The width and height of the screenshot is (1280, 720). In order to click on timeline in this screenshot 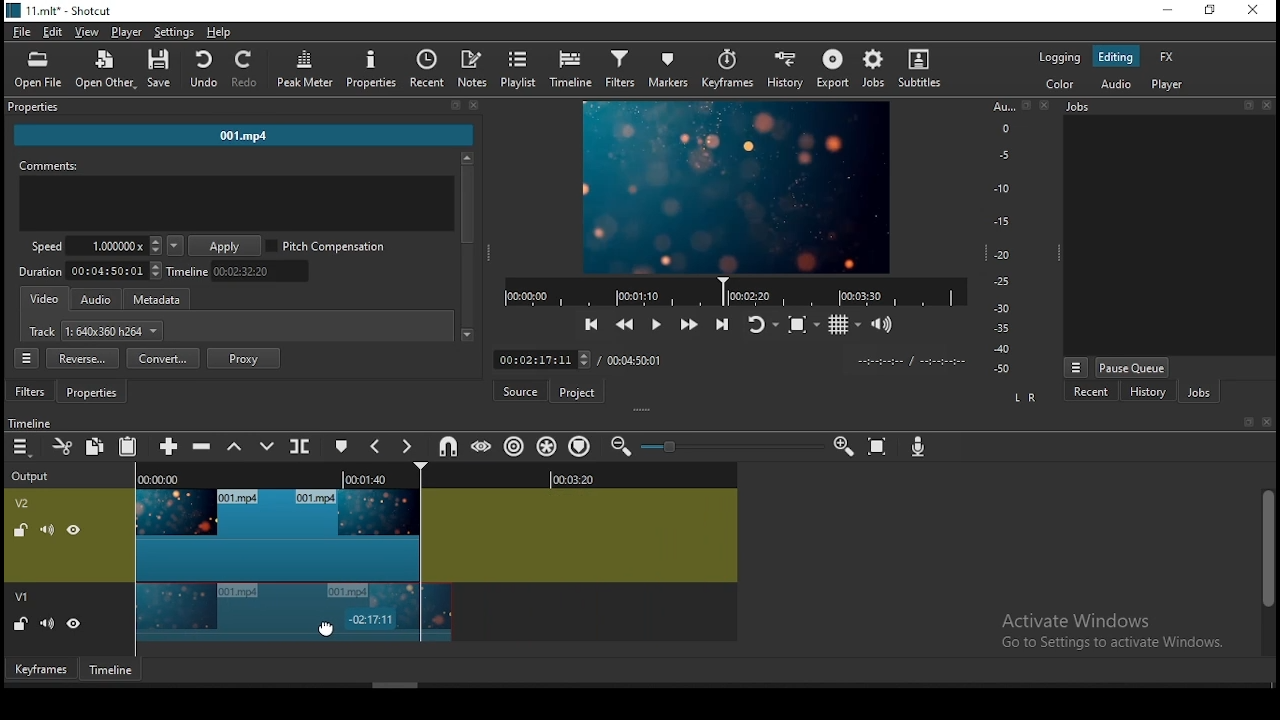, I will do `click(570, 70)`.